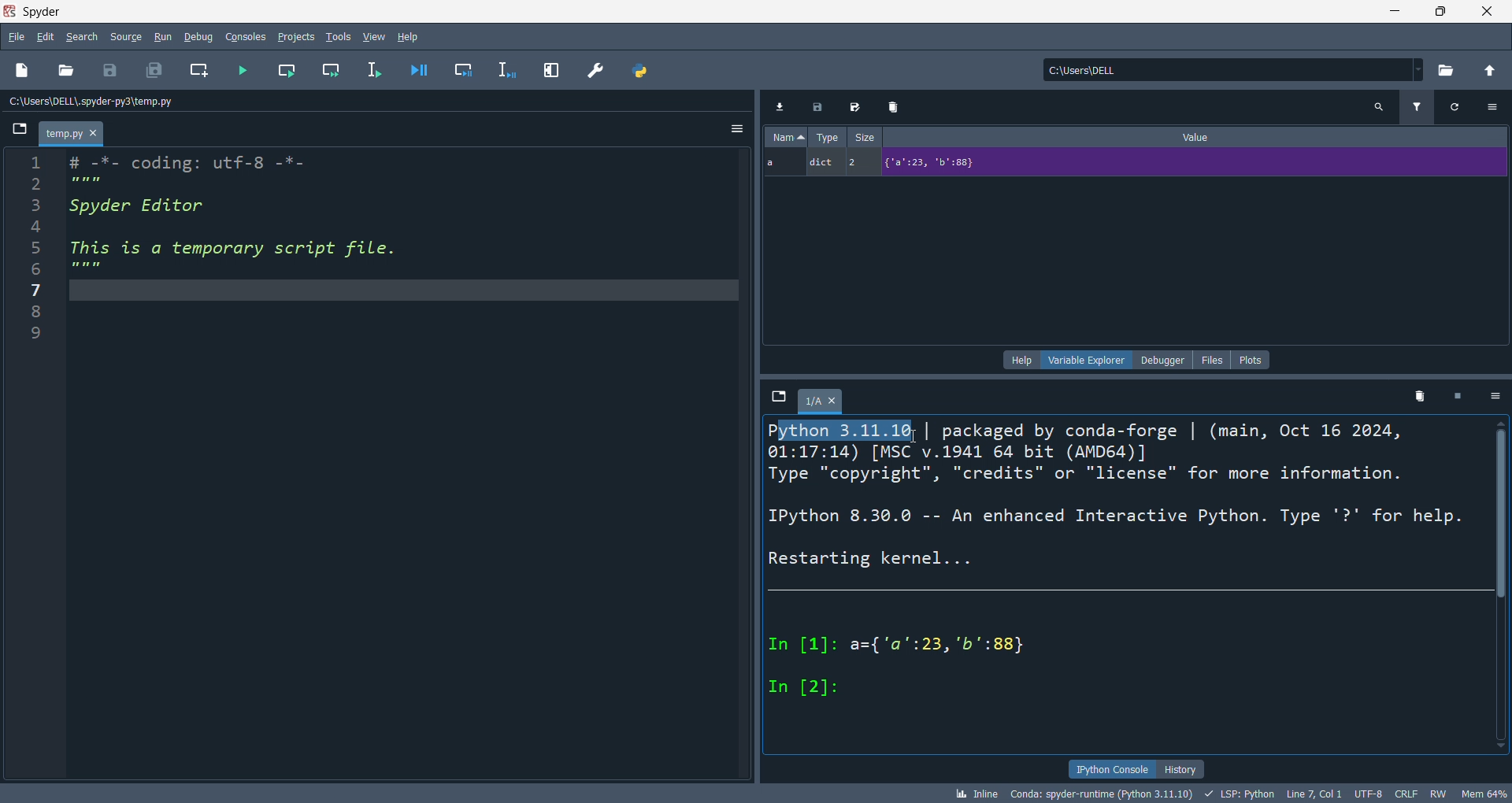 The height and width of the screenshot is (803, 1512). I want to click on delete, so click(897, 105).